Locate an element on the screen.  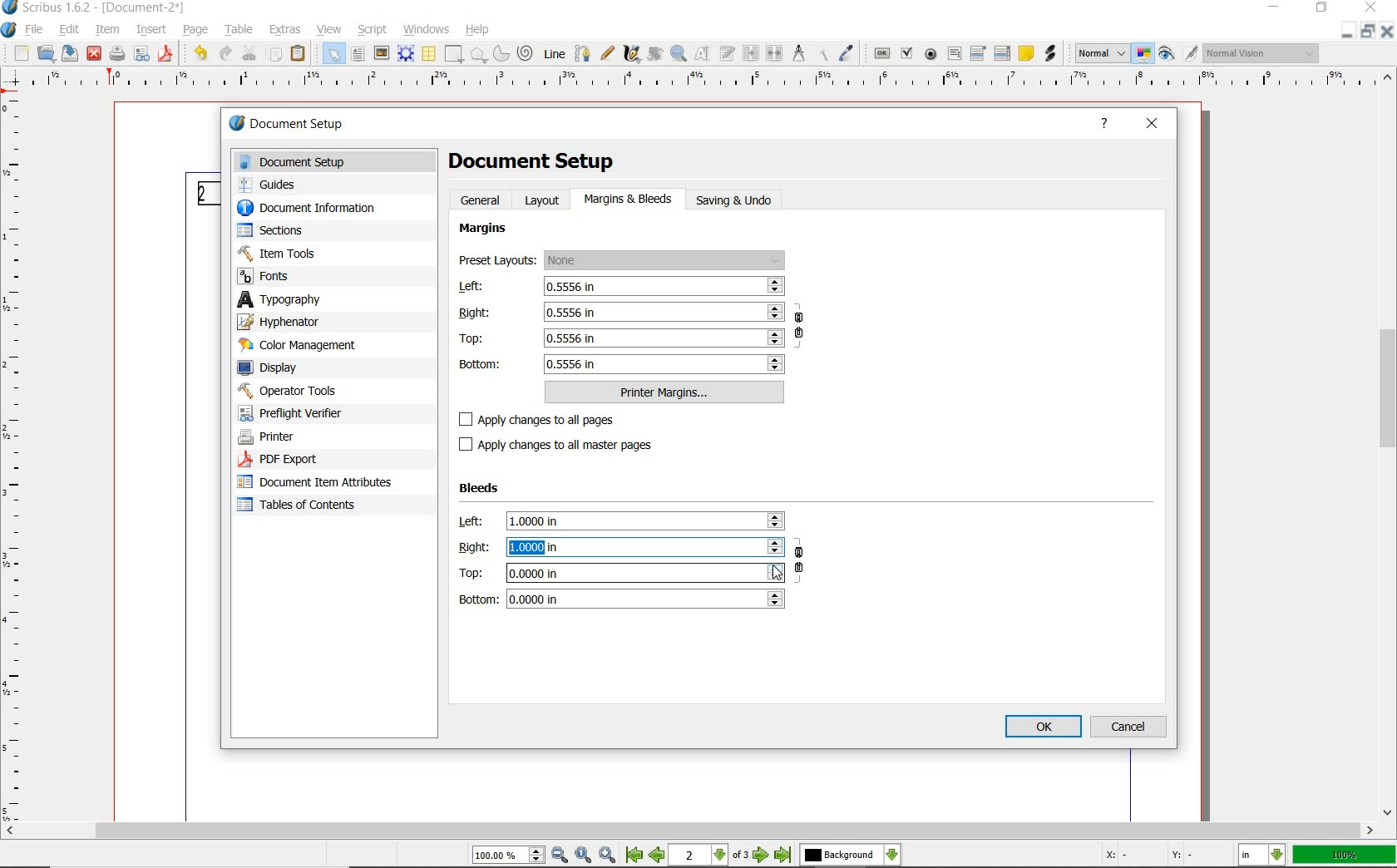
rotate item is located at coordinates (654, 53).